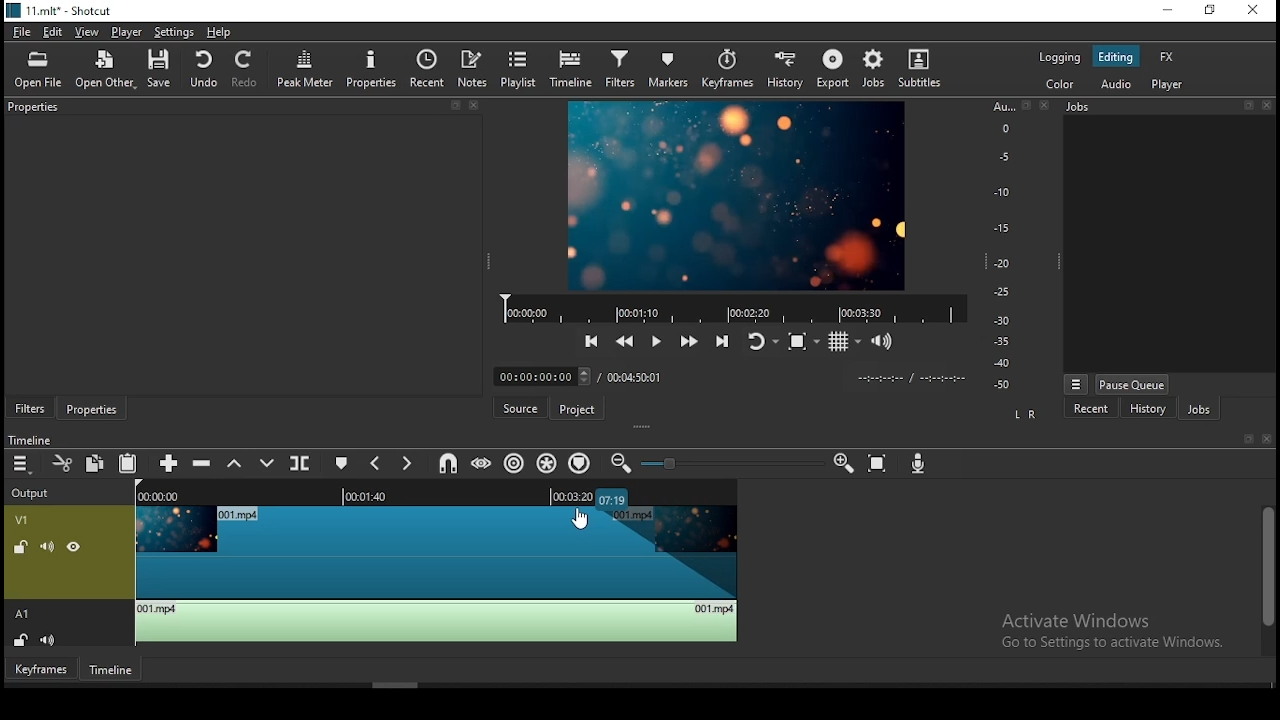 This screenshot has height=720, width=1280. Describe the element at coordinates (484, 463) in the screenshot. I see `scrub while dragging` at that location.